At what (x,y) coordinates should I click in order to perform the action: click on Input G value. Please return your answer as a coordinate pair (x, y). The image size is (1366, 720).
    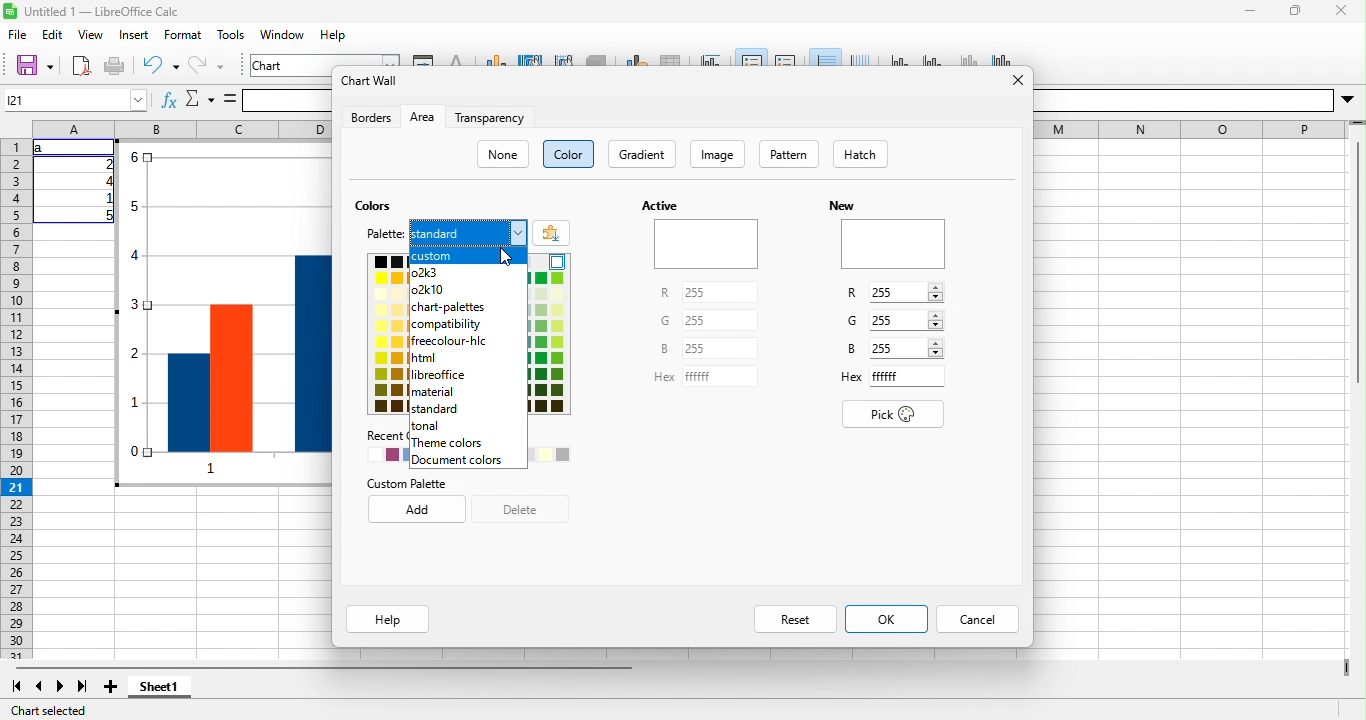
    Looking at the image, I should click on (897, 320).